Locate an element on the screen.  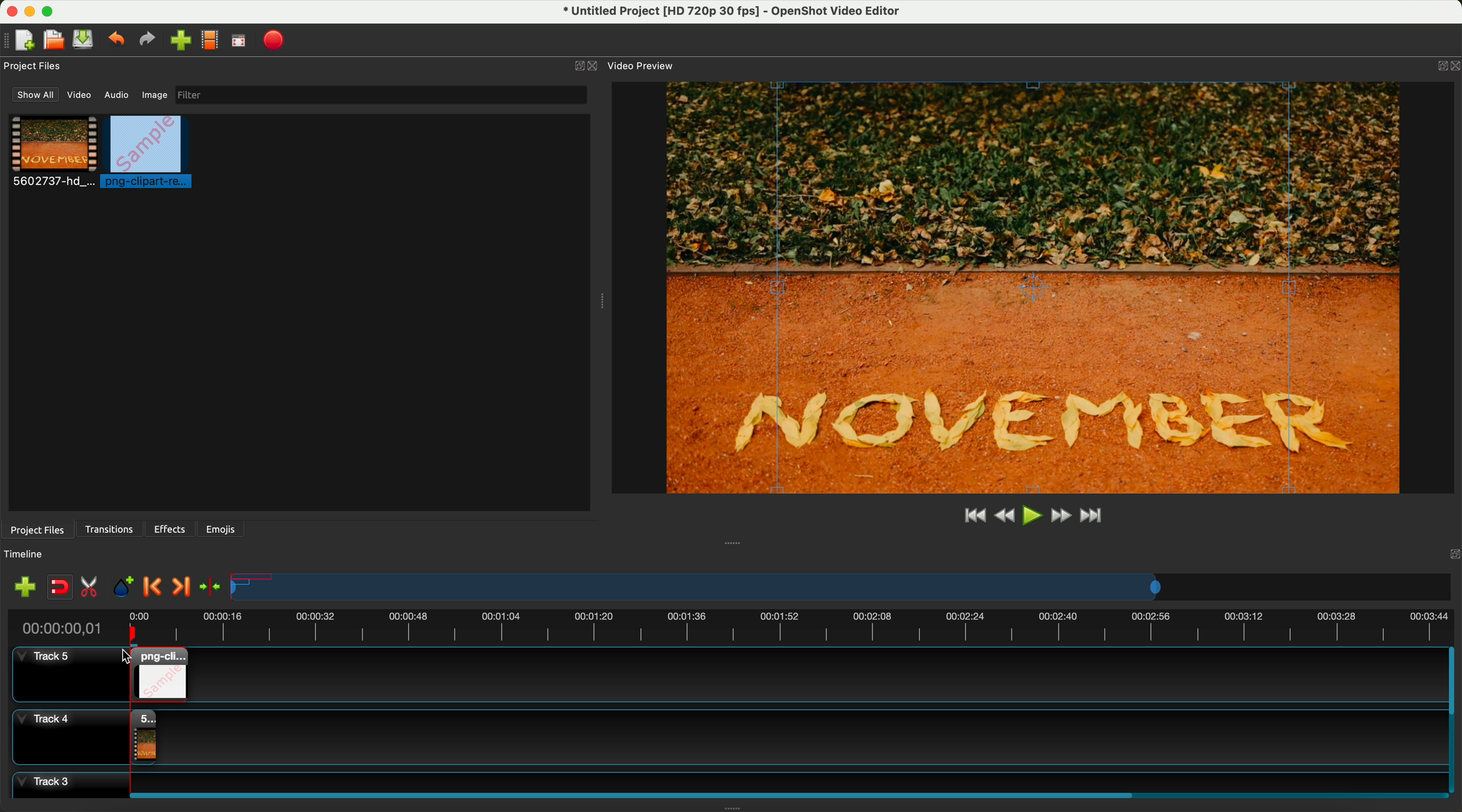
BUTTON is located at coordinates (1439, 63).